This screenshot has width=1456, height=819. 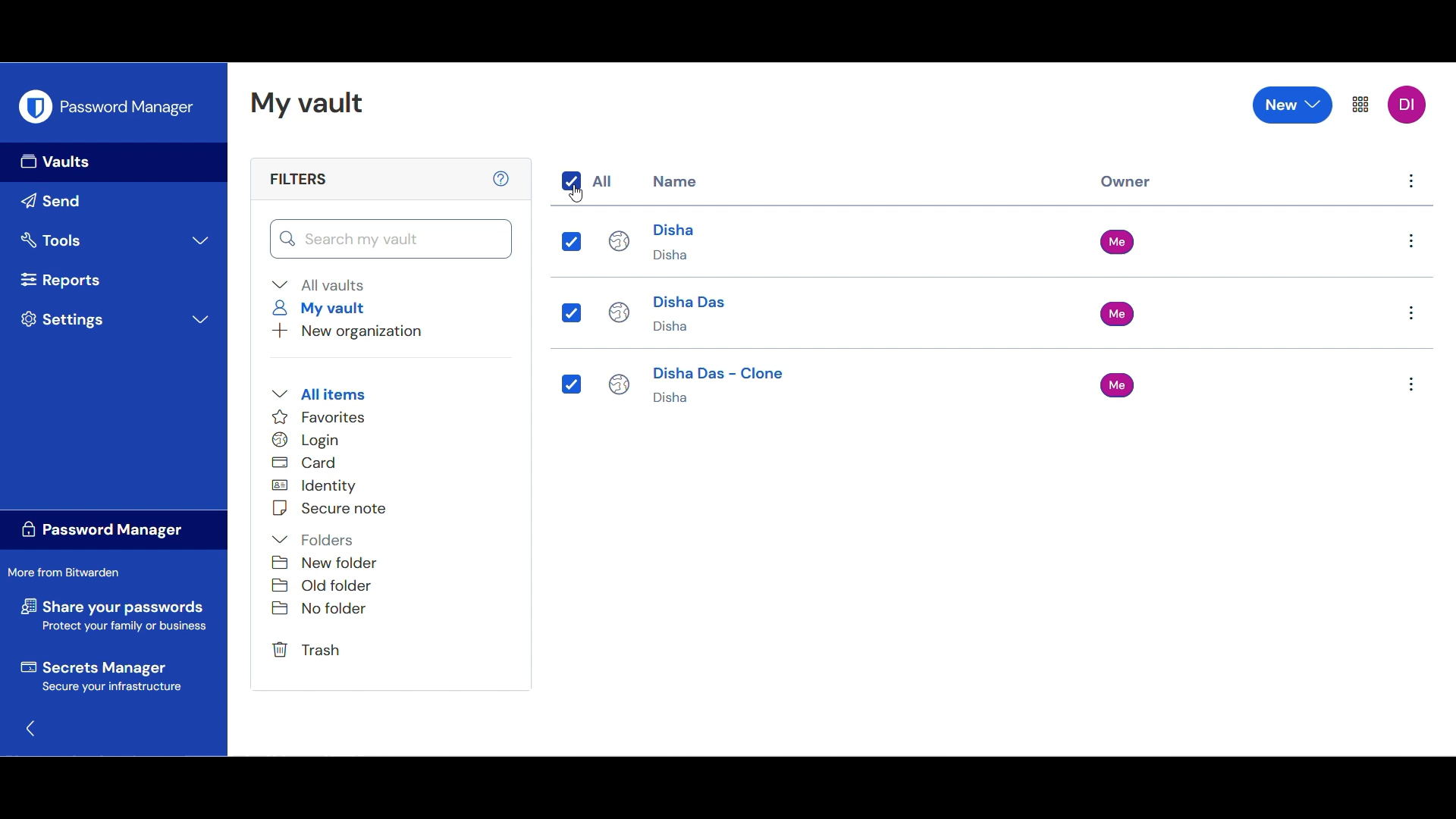 What do you see at coordinates (328, 508) in the screenshot?
I see `Secure note` at bounding box center [328, 508].